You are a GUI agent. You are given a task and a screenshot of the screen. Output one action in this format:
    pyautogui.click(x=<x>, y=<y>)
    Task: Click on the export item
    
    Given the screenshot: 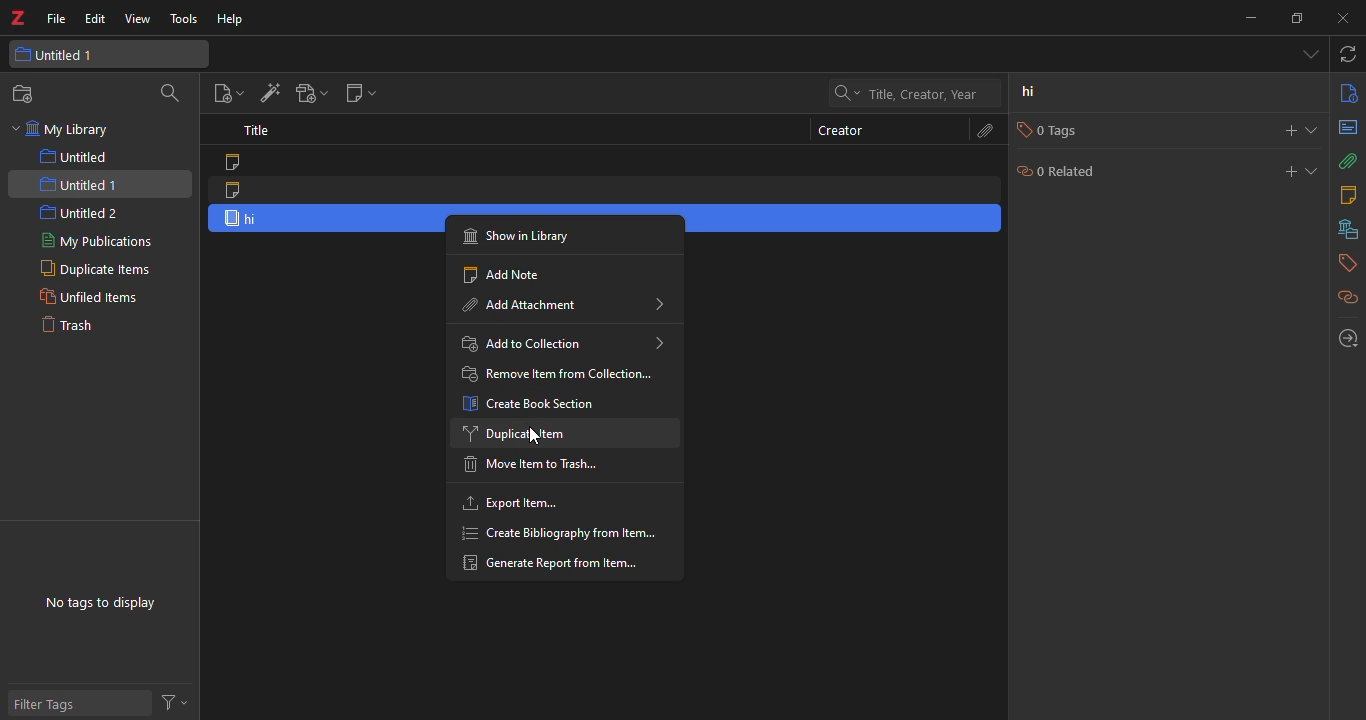 What is the action you would take?
    pyautogui.click(x=521, y=504)
    